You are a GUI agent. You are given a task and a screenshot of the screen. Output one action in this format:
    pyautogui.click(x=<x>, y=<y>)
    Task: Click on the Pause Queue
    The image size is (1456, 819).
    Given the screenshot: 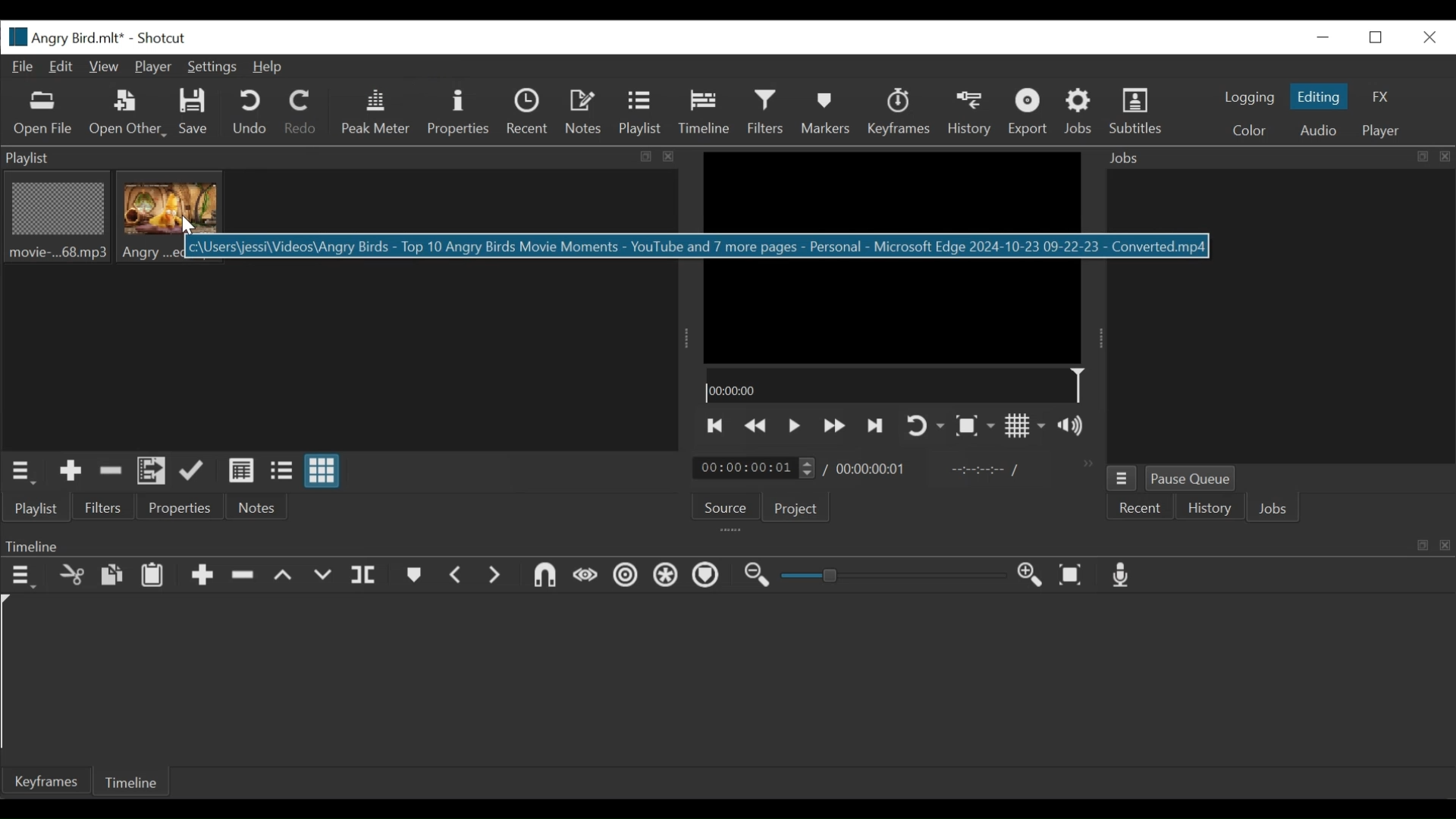 What is the action you would take?
    pyautogui.click(x=1191, y=477)
    